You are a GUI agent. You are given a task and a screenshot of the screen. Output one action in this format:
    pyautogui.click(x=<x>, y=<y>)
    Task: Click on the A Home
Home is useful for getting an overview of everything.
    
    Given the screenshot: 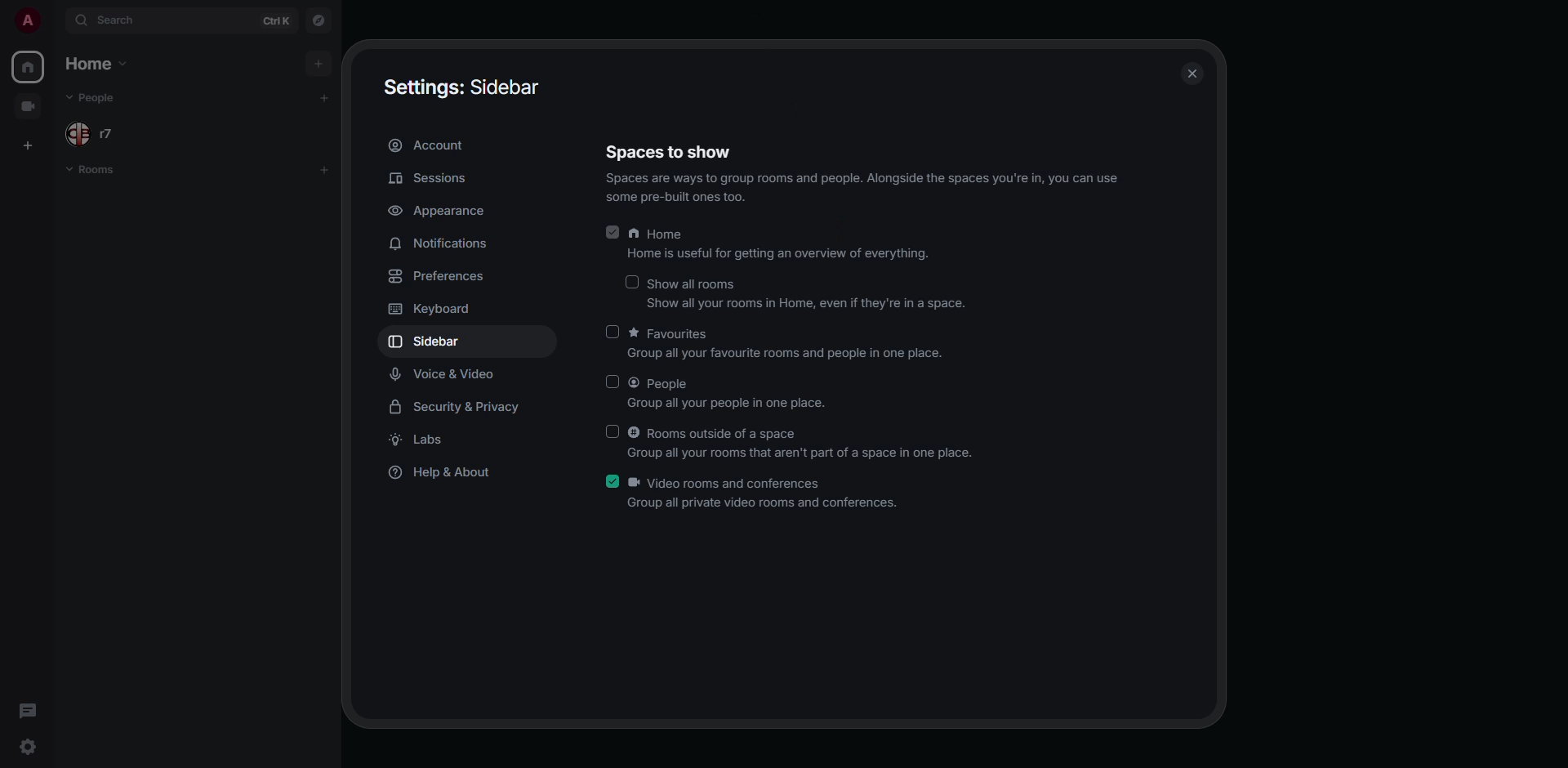 What is the action you would take?
    pyautogui.click(x=779, y=243)
    